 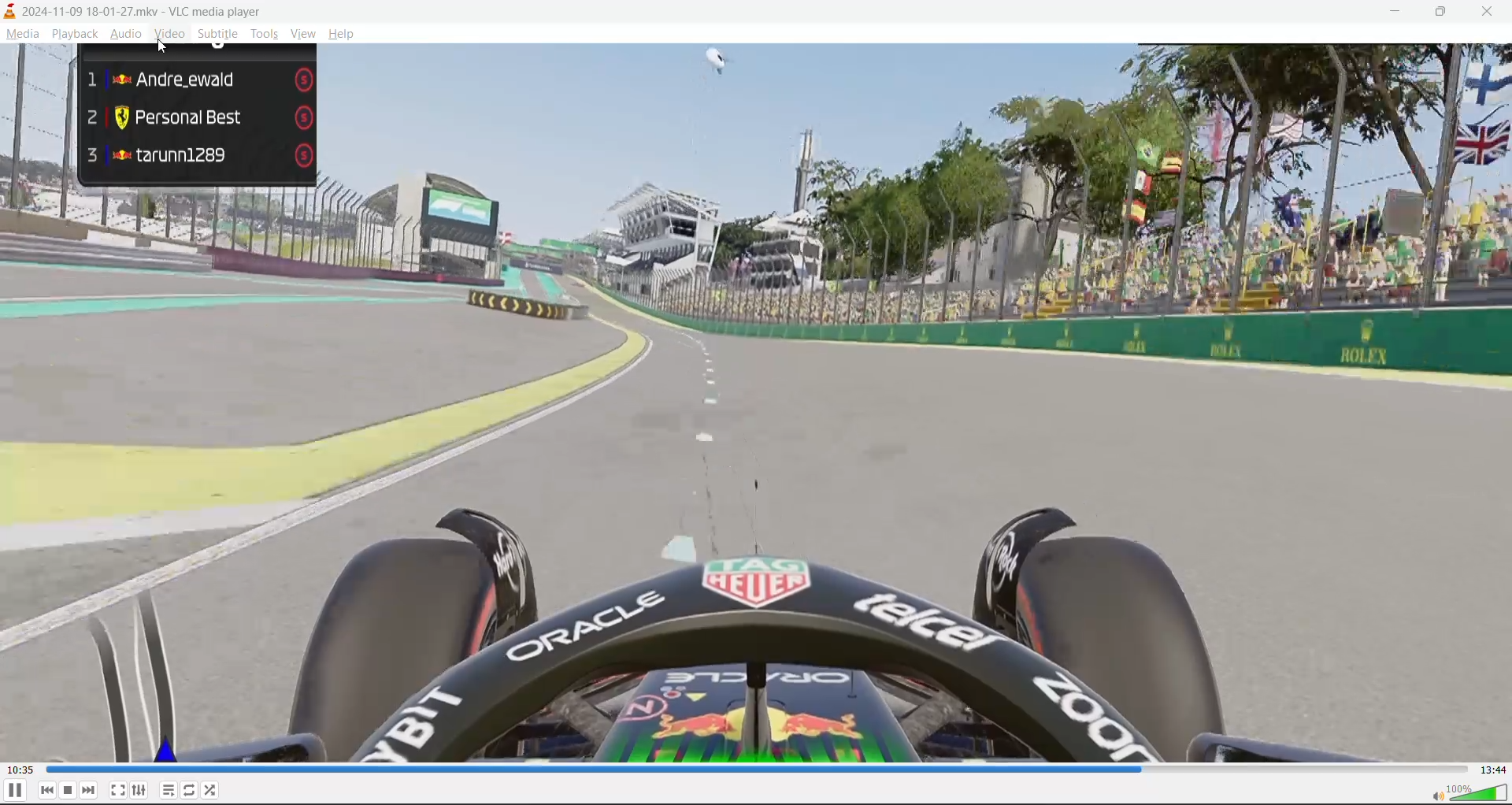 I want to click on maximize, so click(x=1446, y=13).